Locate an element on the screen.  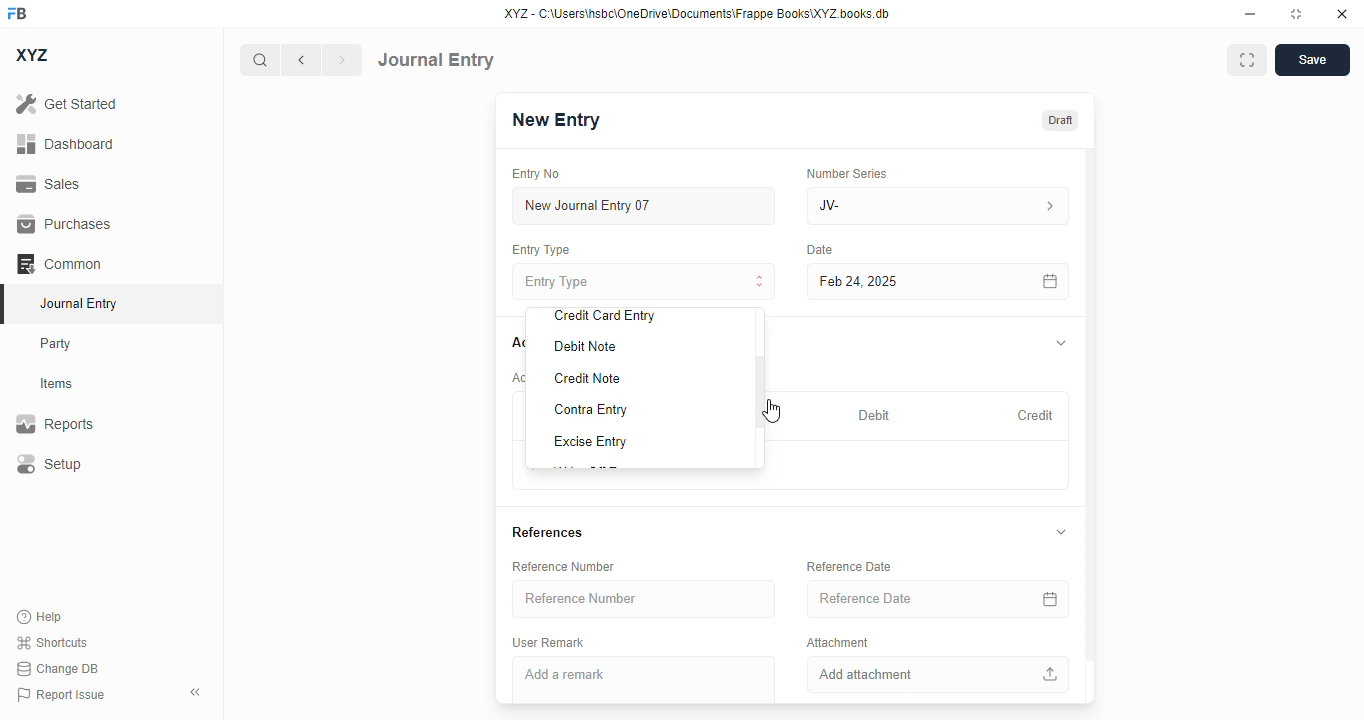
reference number is located at coordinates (645, 599).